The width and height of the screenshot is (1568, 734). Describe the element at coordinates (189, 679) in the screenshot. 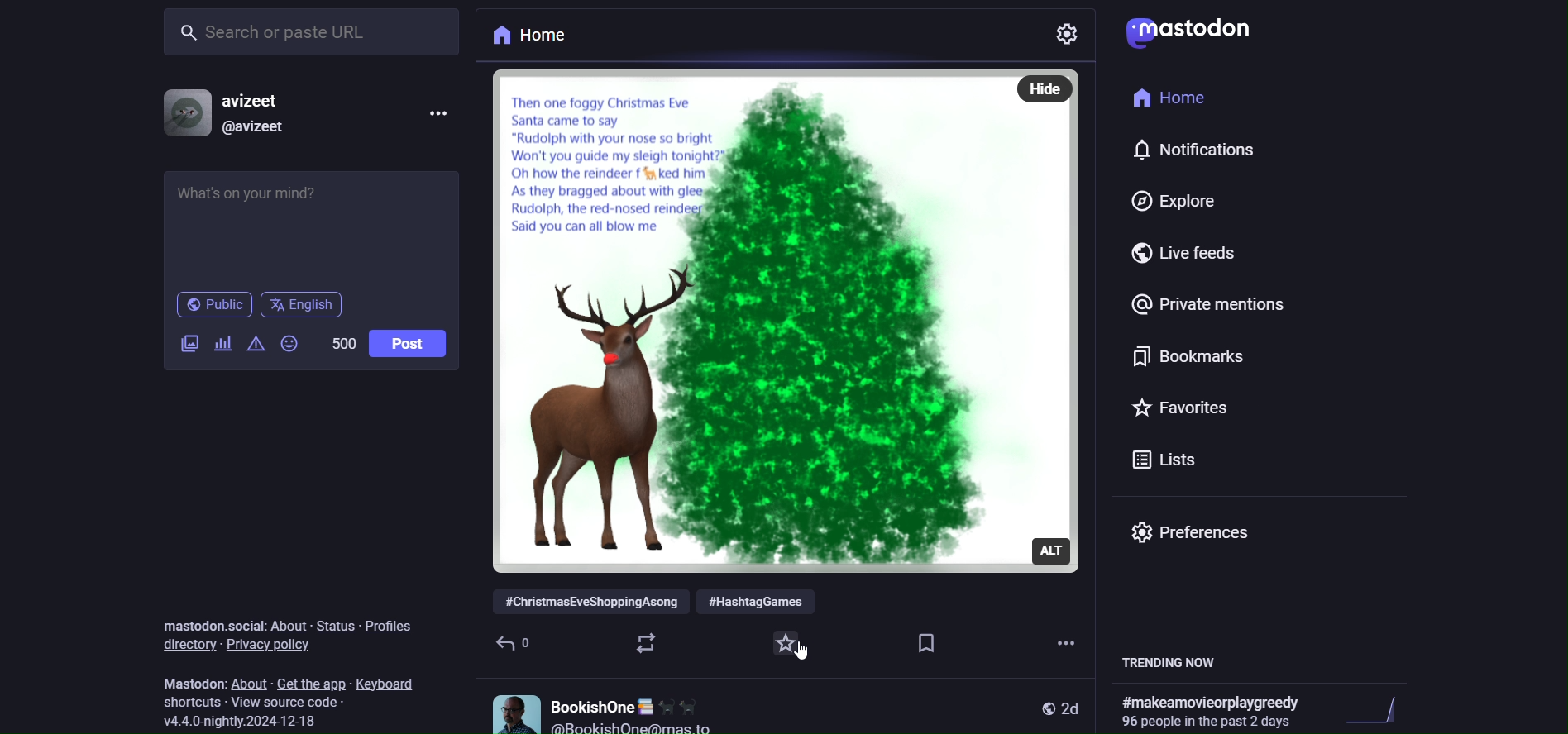

I see `mastodon` at that location.